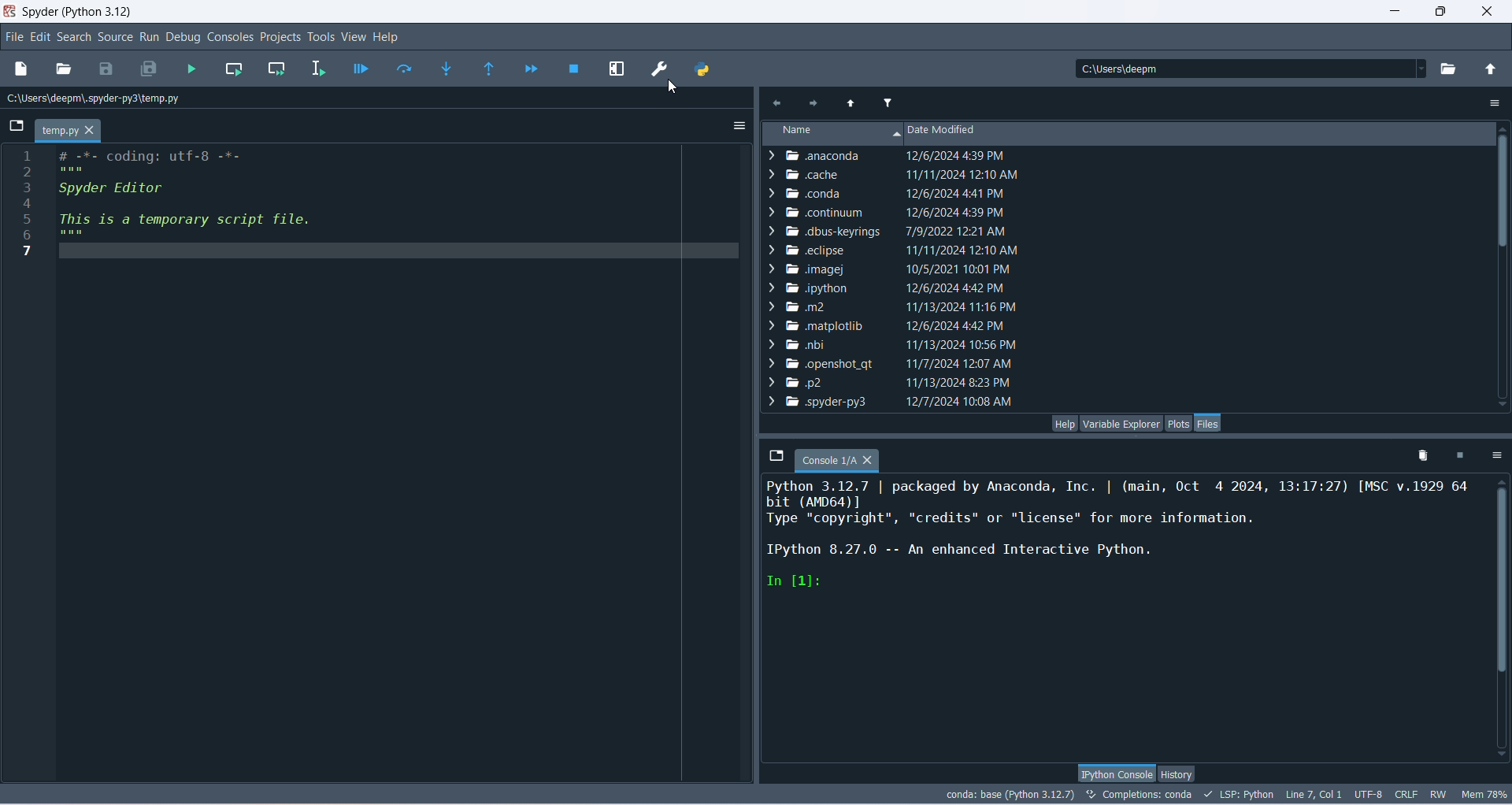  What do you see at coordinates (848, 102) in the screenshot?
I see `move above` at bounding box center [848, 102].